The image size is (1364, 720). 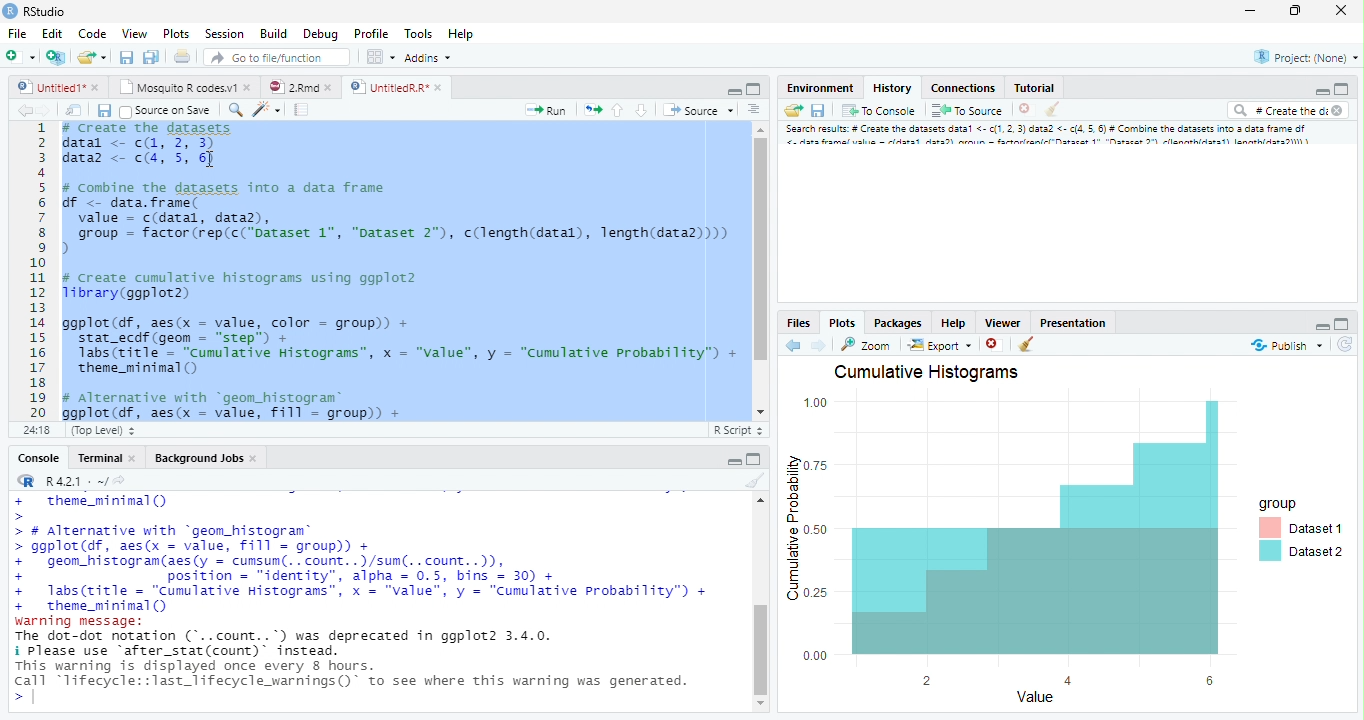 I want to click on UntitledR.R, so click(x=396, y=86).